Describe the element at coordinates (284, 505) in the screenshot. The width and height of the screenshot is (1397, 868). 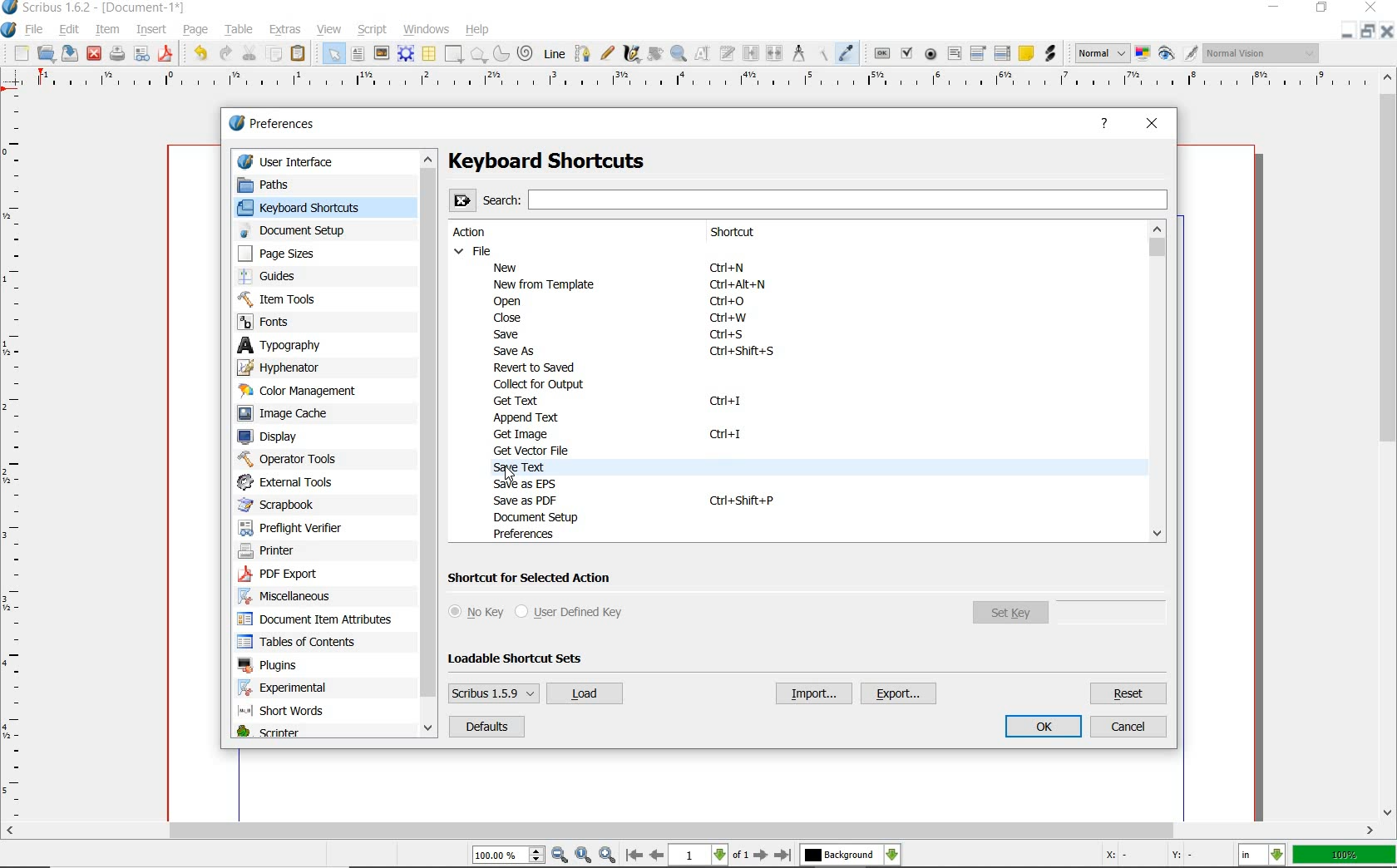
I see `scrapbook` at that location.